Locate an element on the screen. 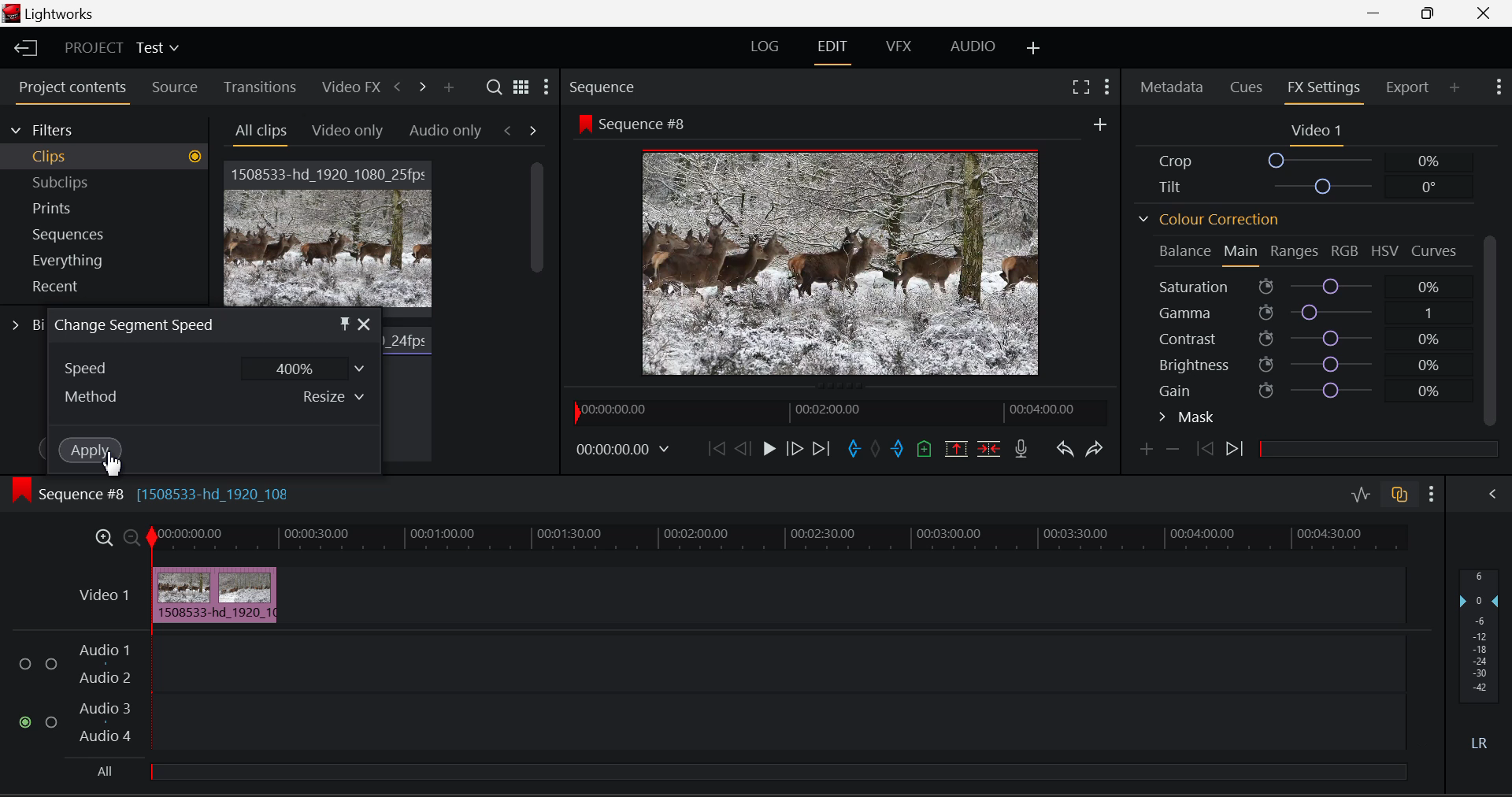  Gamma is located at coordinates (1303, 313).